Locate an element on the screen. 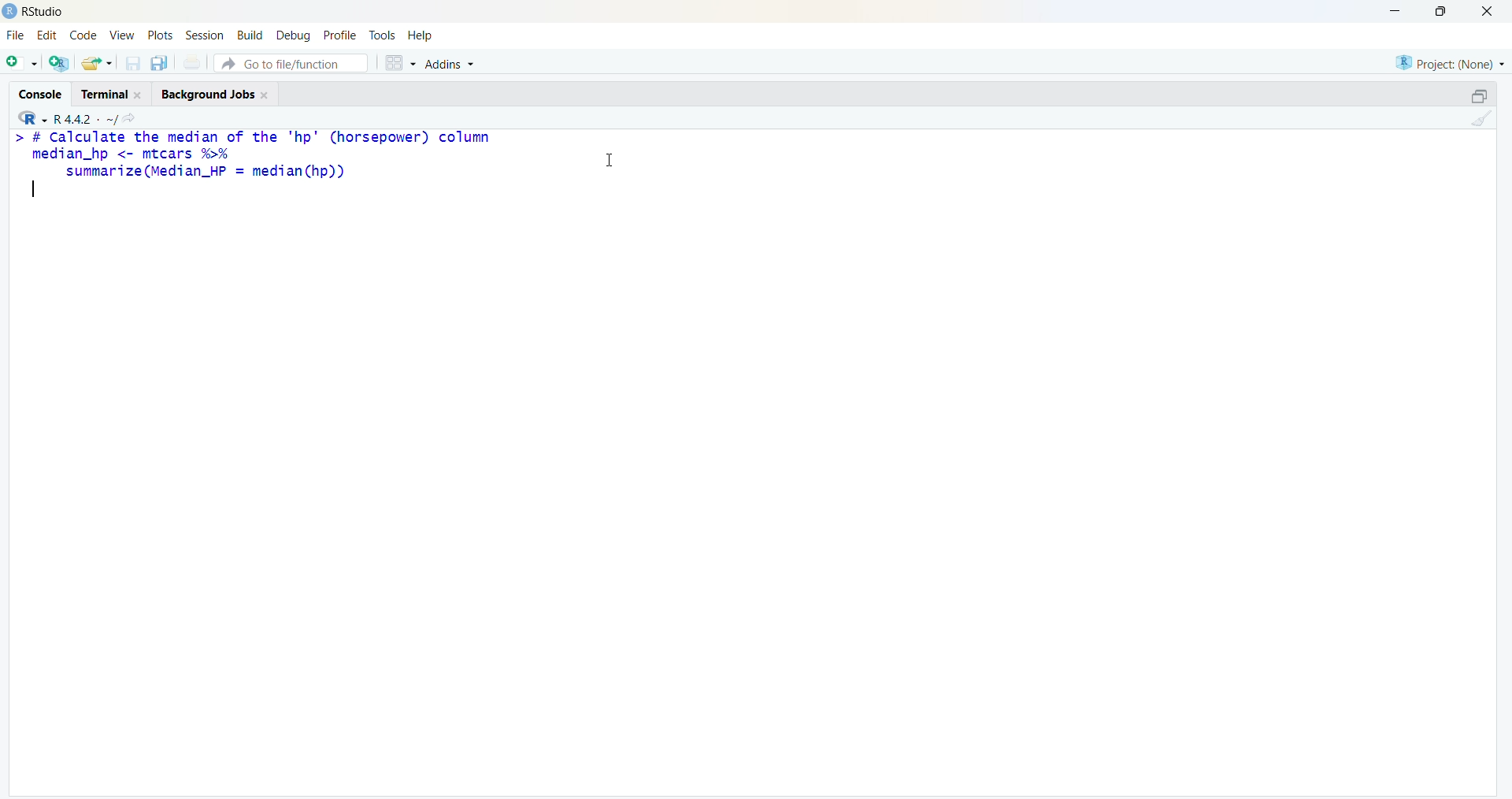 The height and width of the screenshot is (799, 1512). maximise is located at coordinates (1441, 11).